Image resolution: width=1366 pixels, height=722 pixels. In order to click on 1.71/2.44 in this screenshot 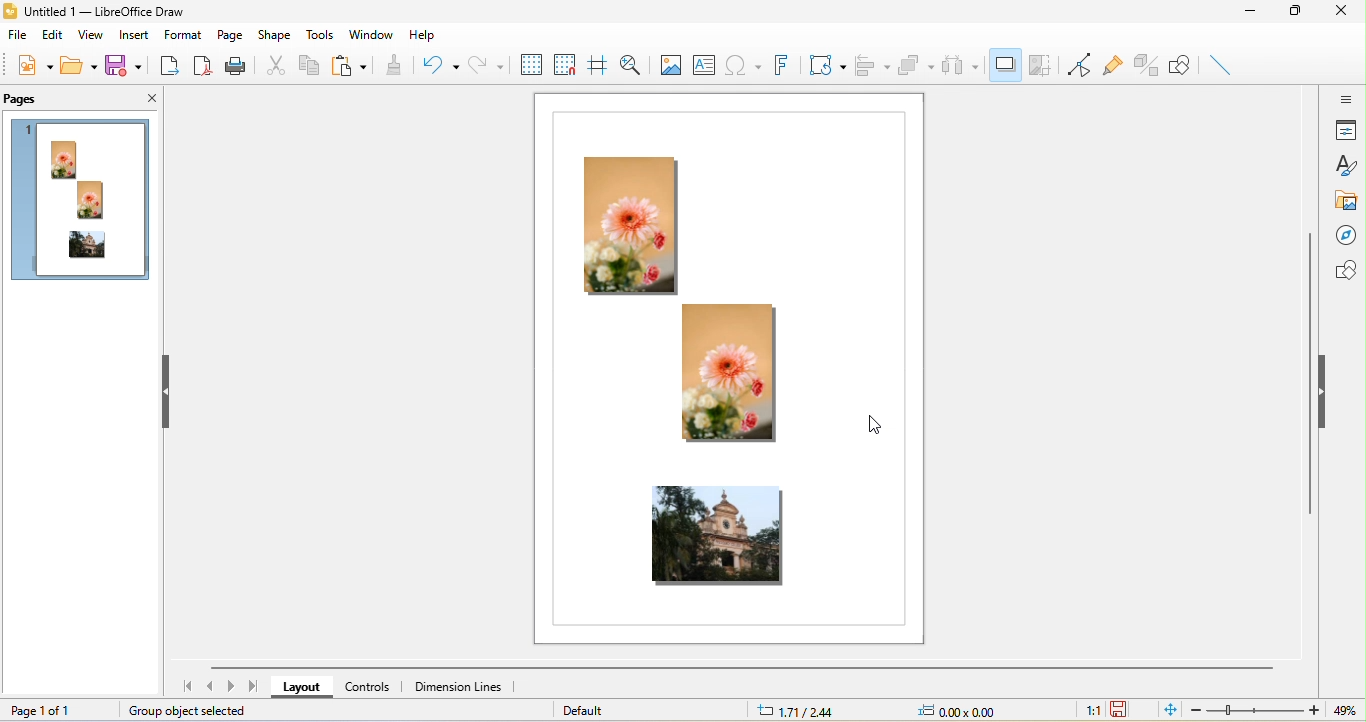, I will do `click(801, 711)`.